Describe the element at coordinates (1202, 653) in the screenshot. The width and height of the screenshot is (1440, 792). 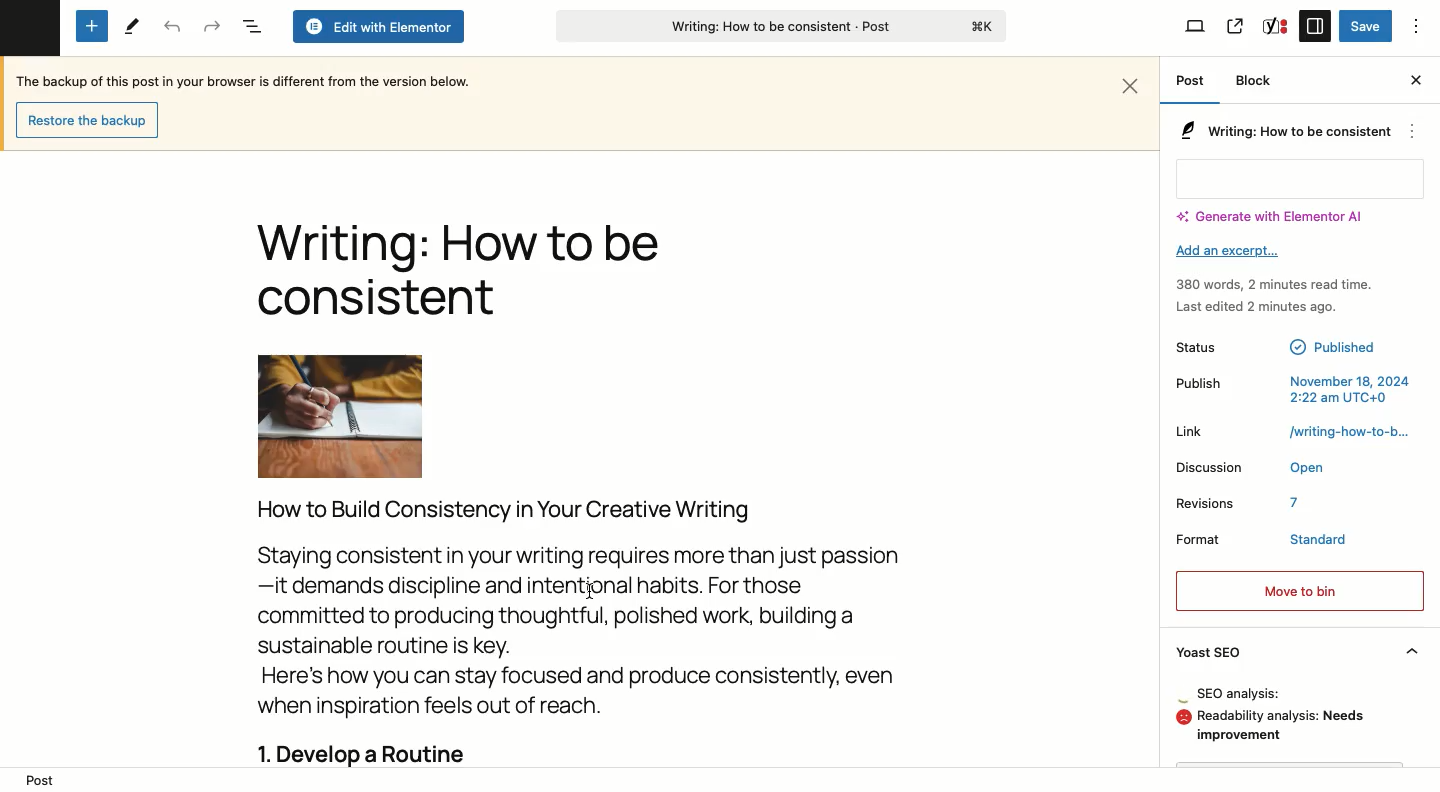
I see `Yoast` at that location.